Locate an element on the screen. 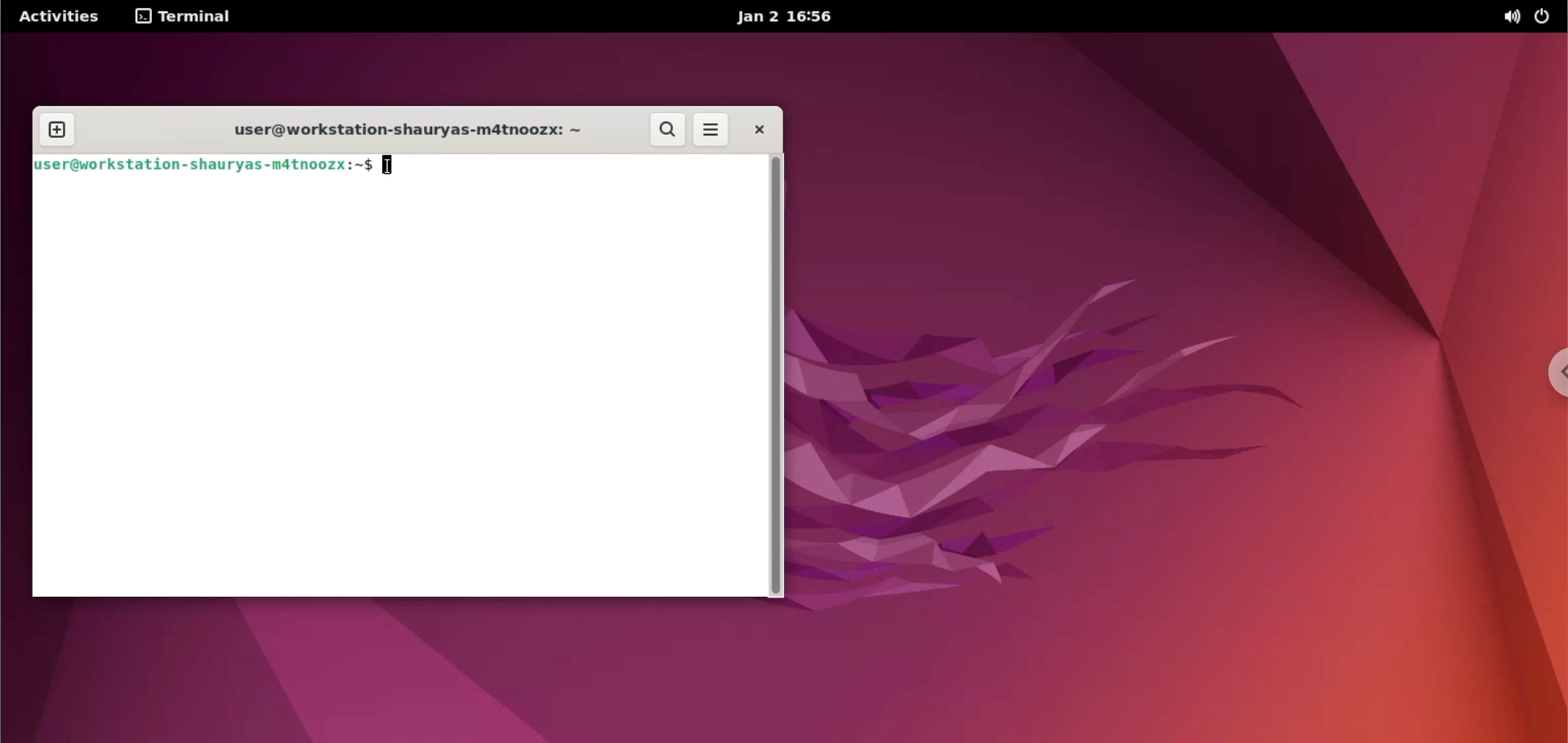 The height and width of the screenshot is (743, 1568). sound options is located at coordinates (1508, 17).